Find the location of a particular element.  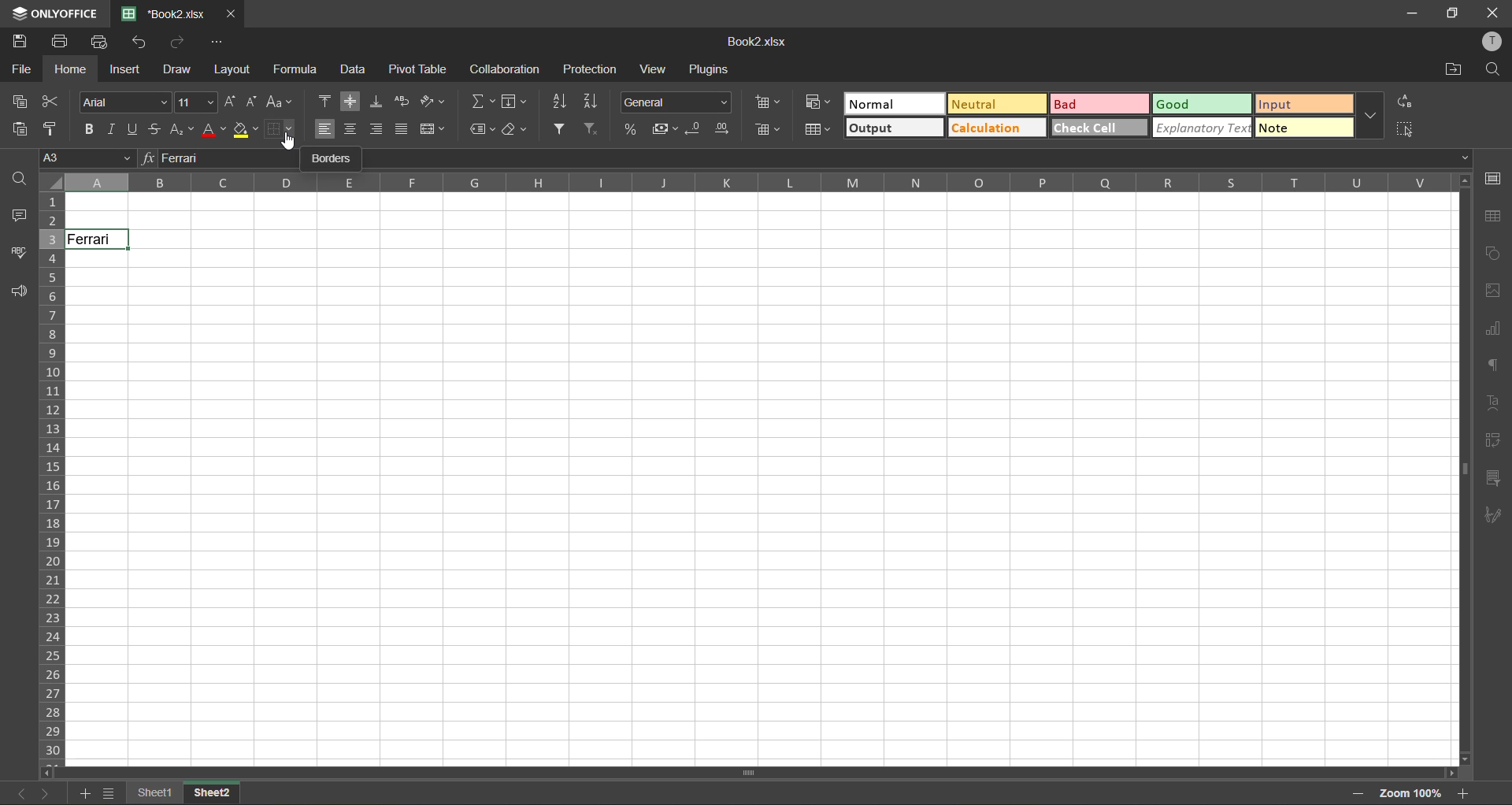

align left is located at coordinates (325, 129).